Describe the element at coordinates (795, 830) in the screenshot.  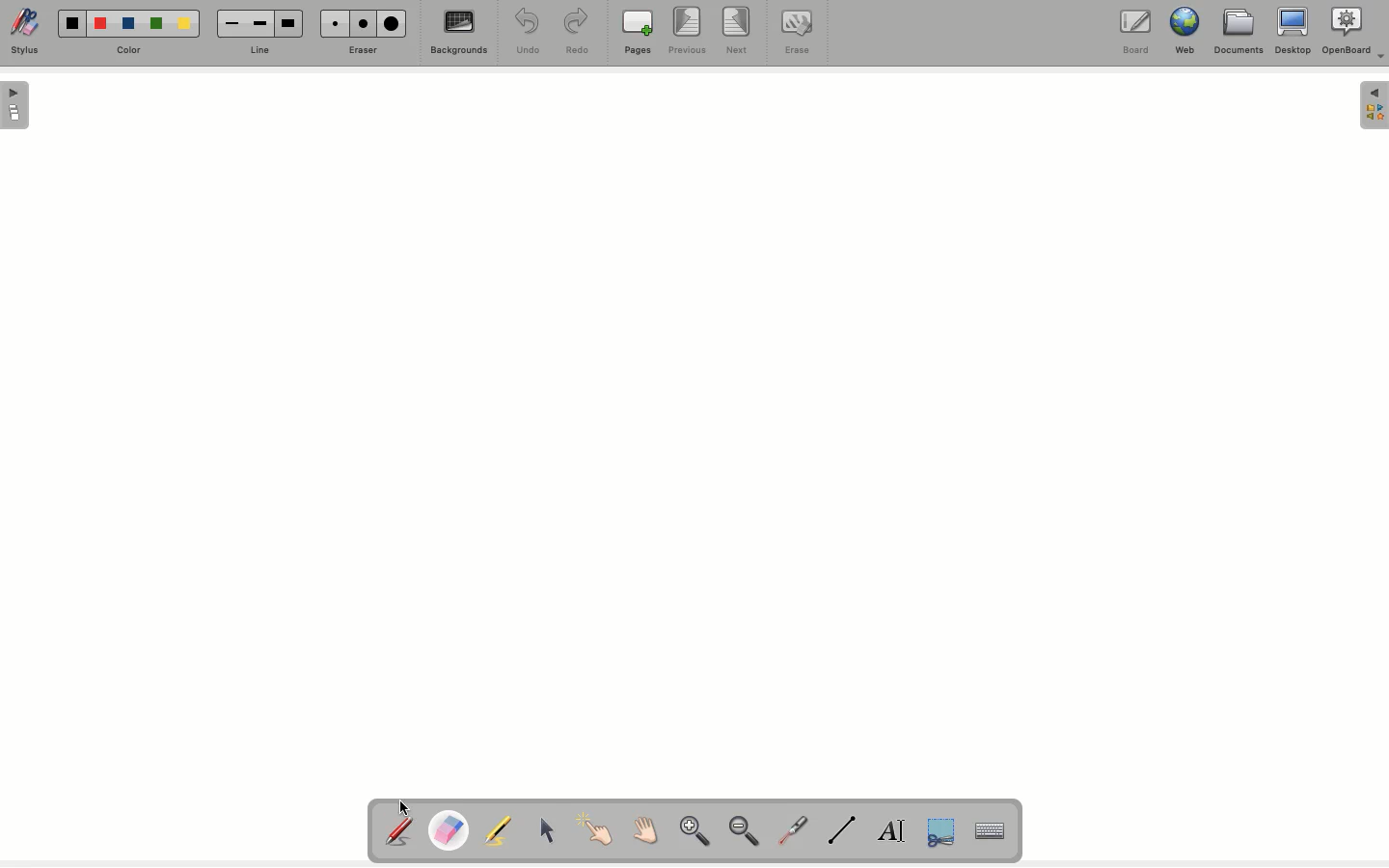
I see `Laser` at that location.